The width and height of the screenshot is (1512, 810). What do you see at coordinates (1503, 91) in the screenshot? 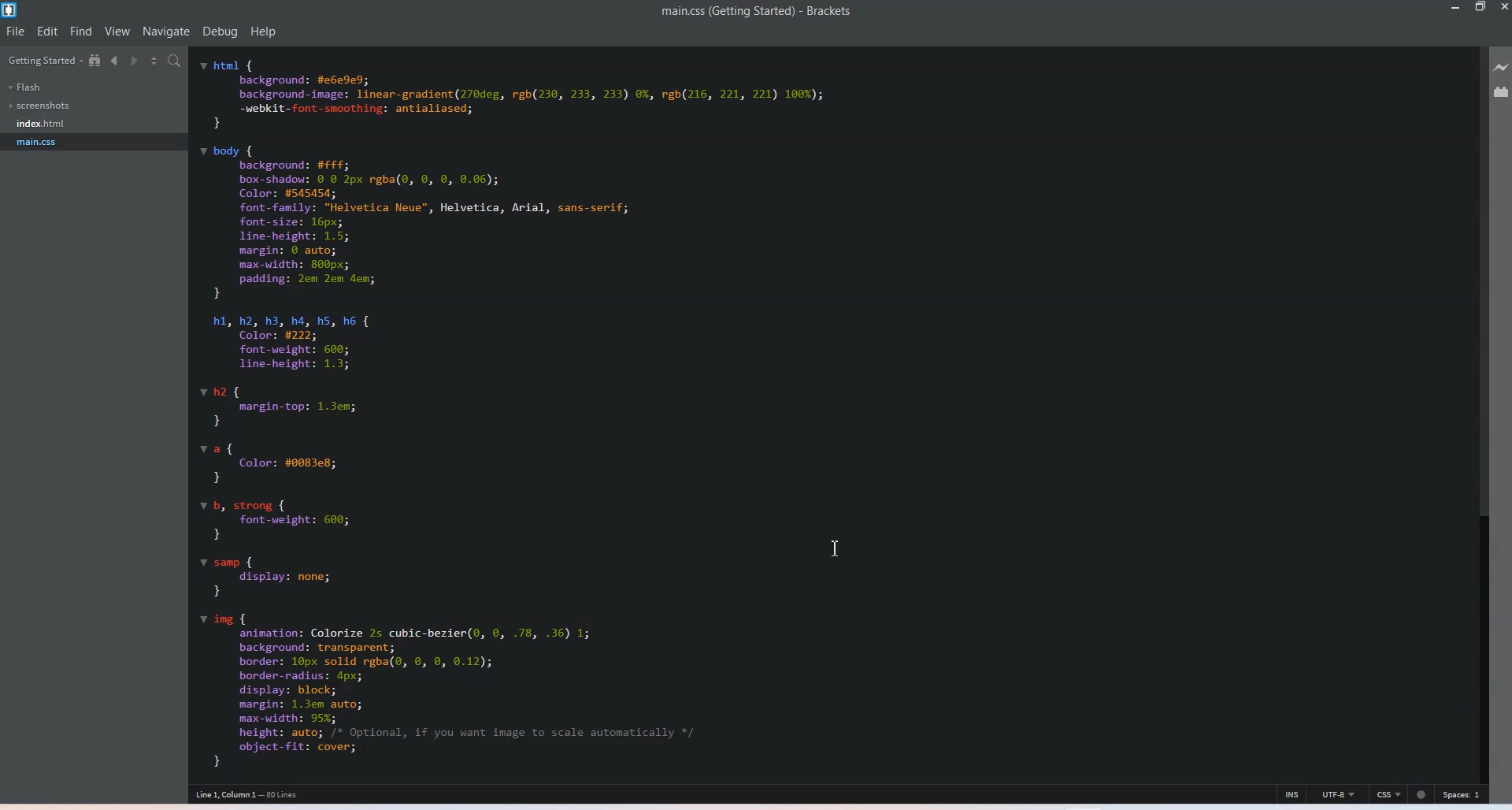
I see `Extension manager` at bounding box center [1503, 91].